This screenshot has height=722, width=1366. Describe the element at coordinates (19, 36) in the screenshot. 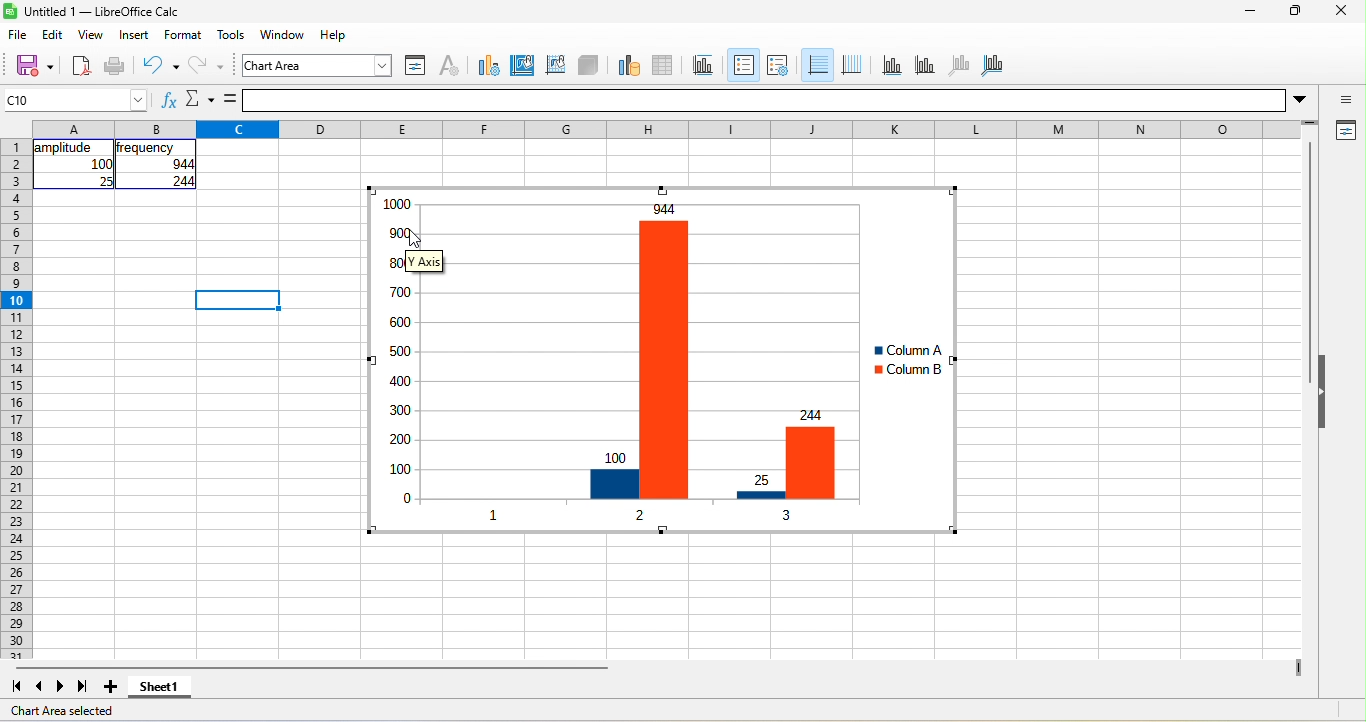

I see `file` at that location.